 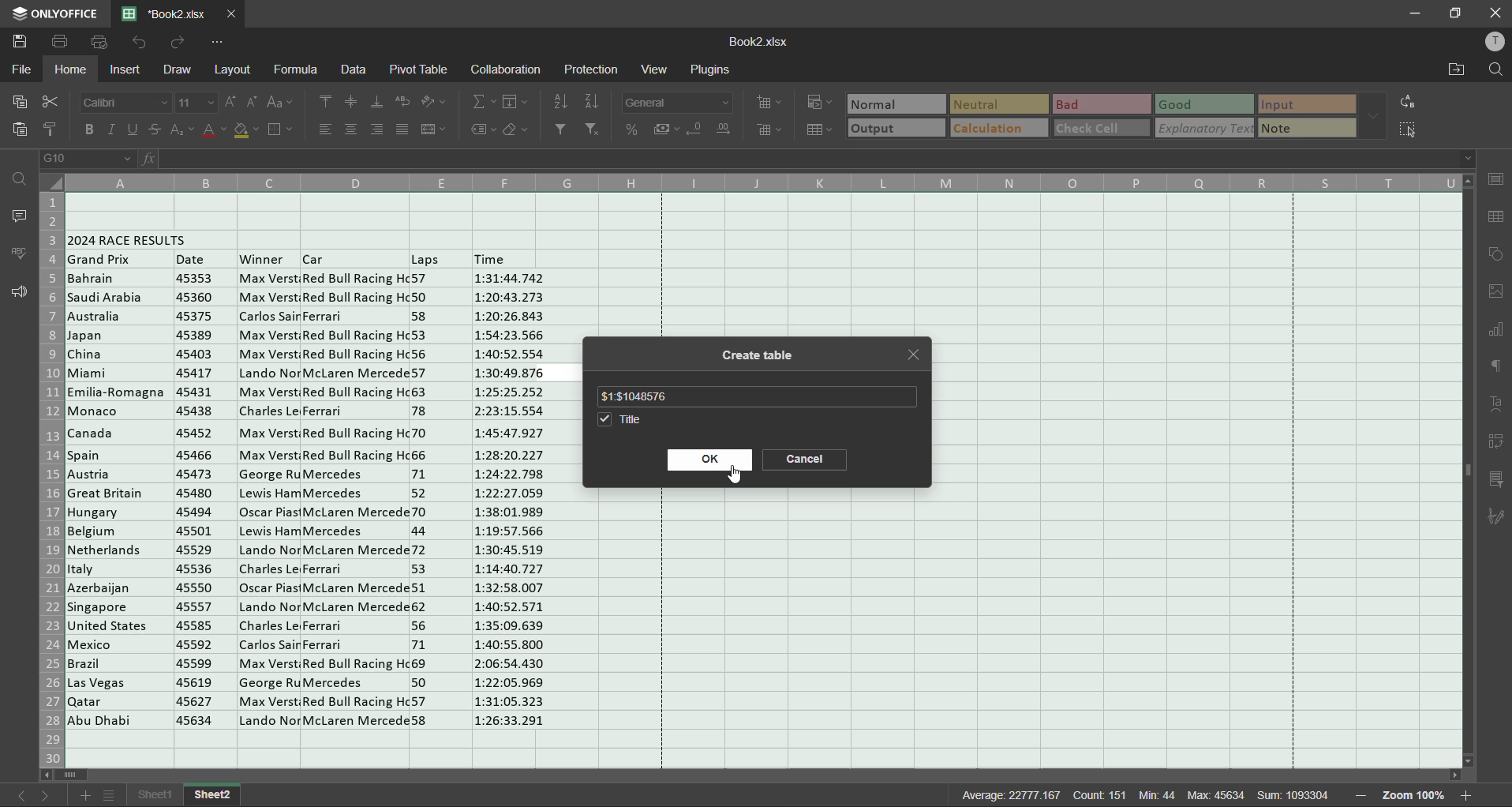 I want to click on summation, so click(x=483, y=102).